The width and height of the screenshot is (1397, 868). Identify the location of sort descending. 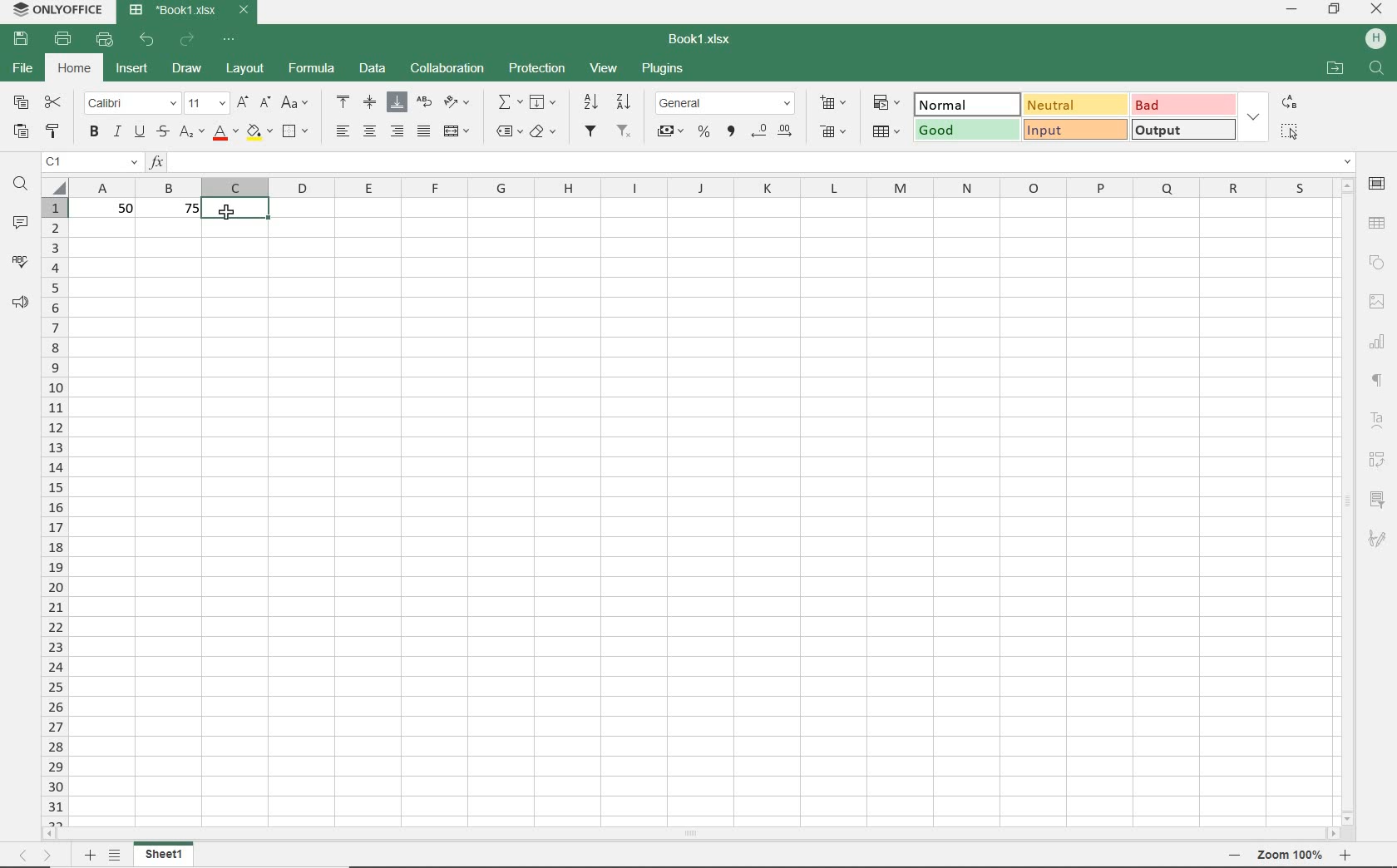
(624, 101).